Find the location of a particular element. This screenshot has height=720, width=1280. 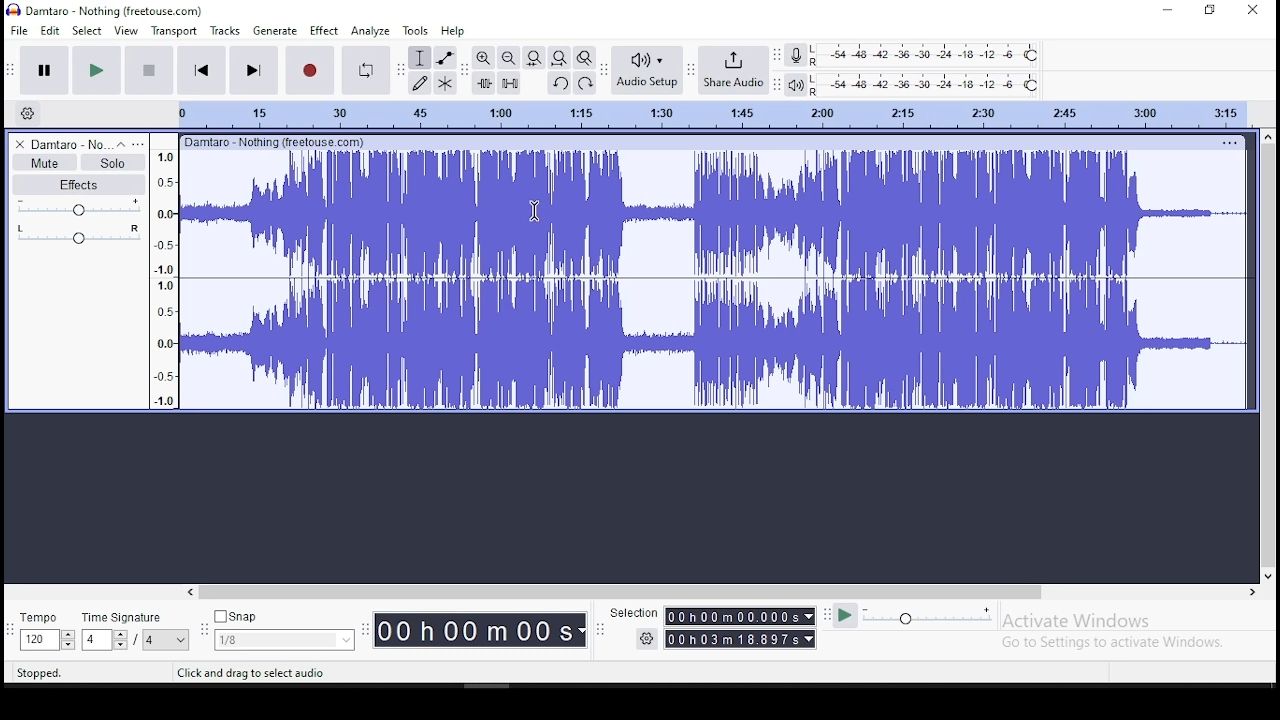

audio clip is located at coordinates (716, 281).